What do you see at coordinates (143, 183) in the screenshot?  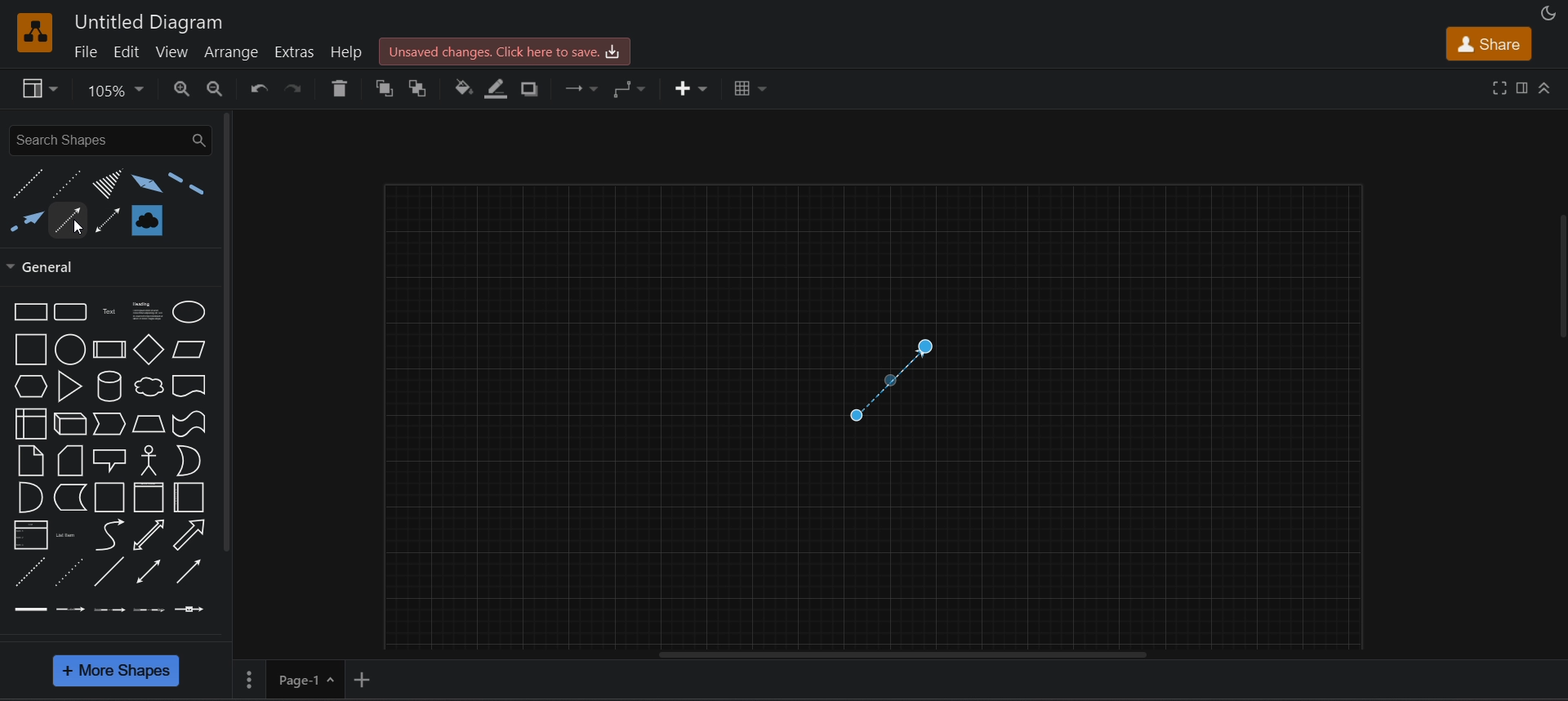 I see `arrow heads` at bounding box center [143, 183].